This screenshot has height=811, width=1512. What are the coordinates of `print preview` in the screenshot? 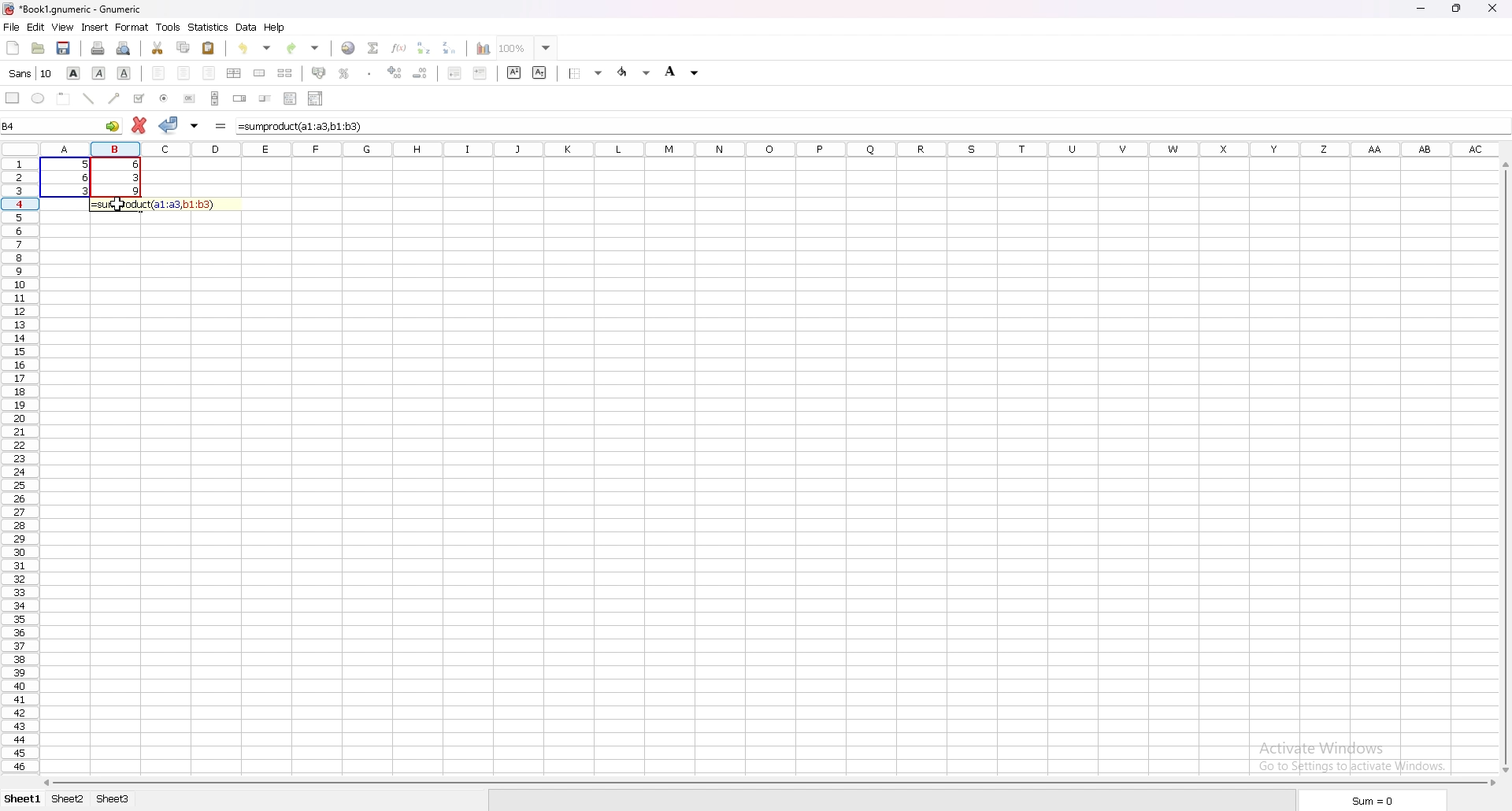 It's located at (124, 47).